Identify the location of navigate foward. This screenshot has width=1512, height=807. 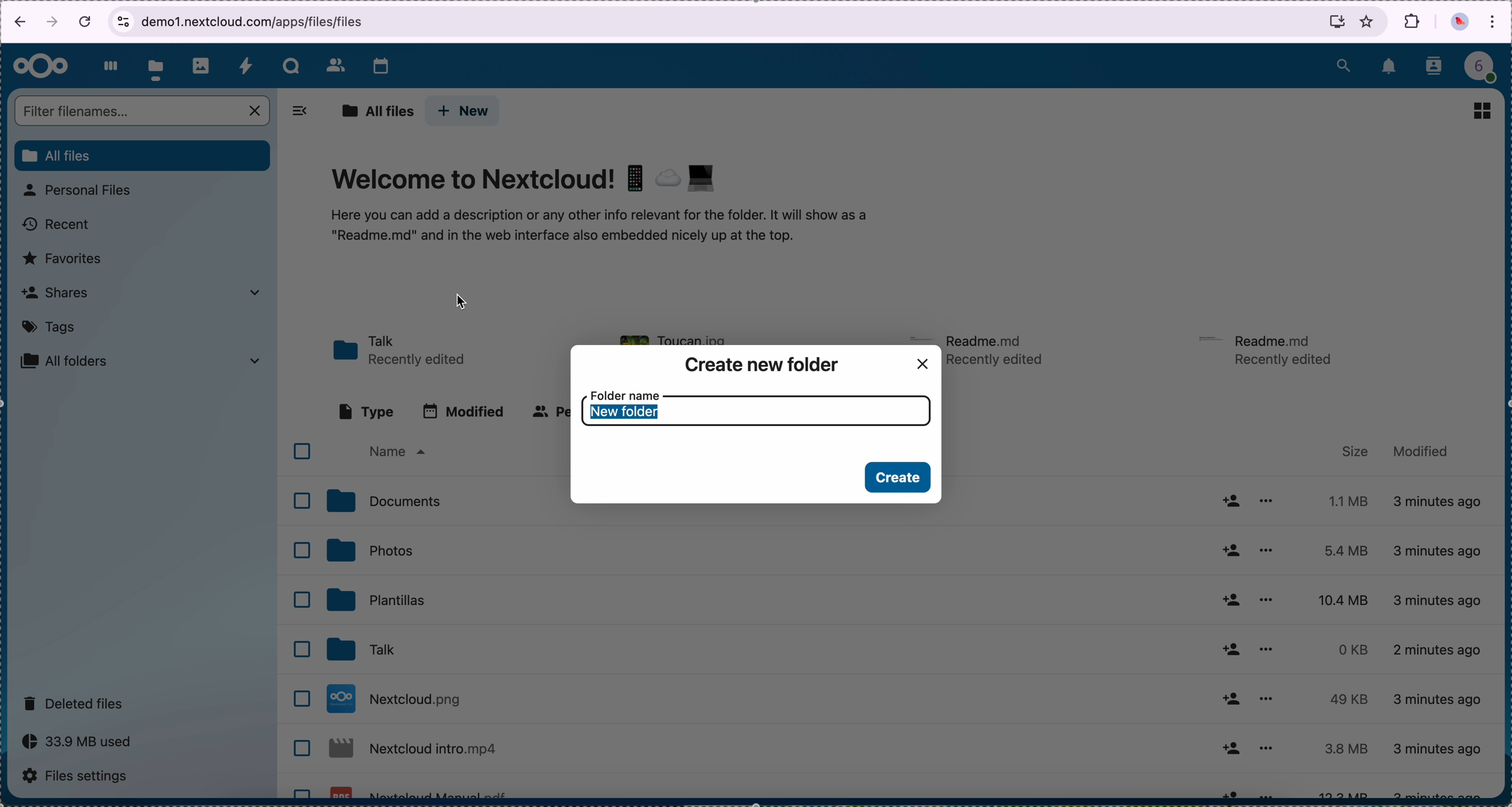
(53, 23).